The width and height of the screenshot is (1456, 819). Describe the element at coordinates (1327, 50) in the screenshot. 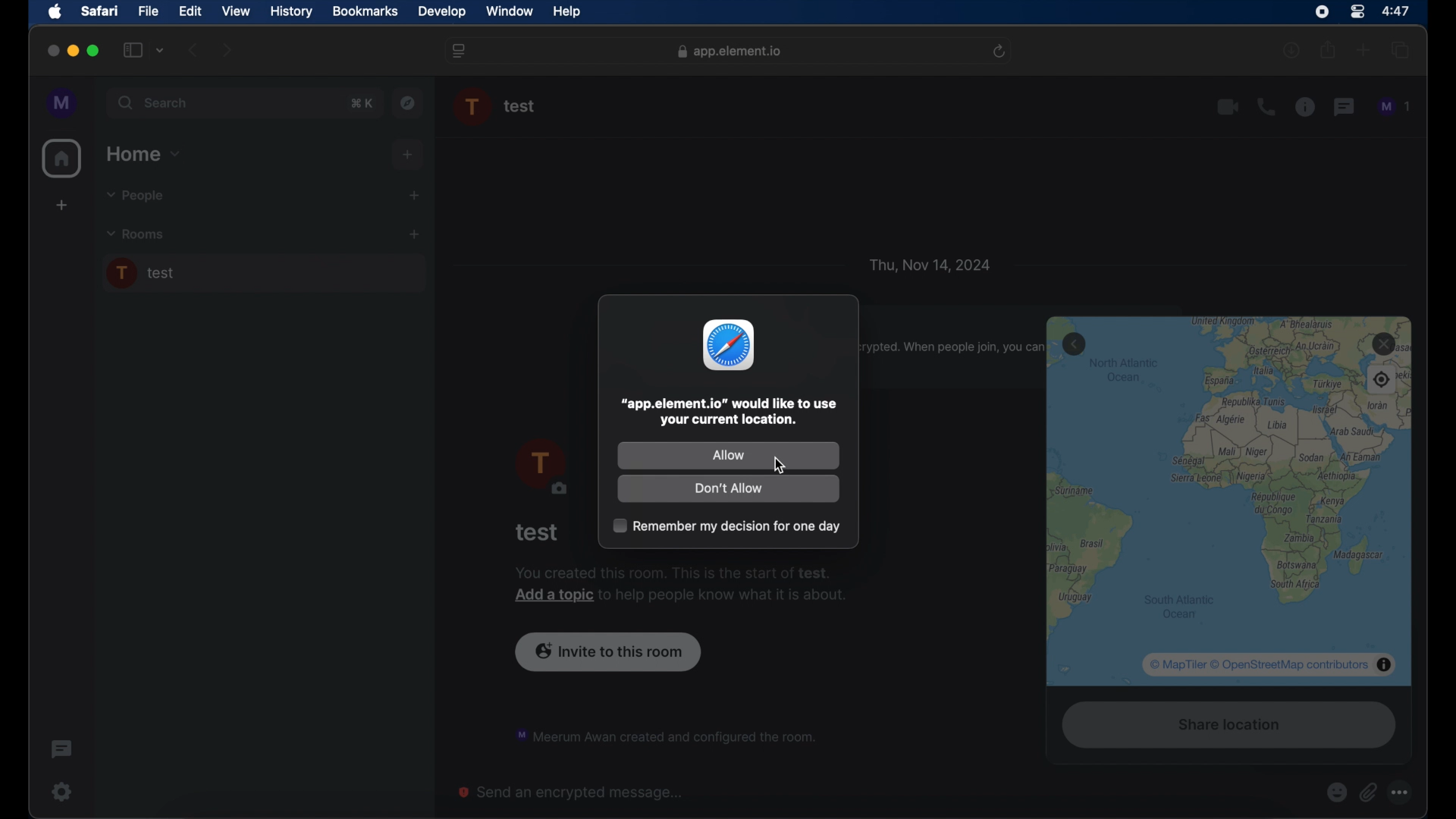

I see `share` at that location.